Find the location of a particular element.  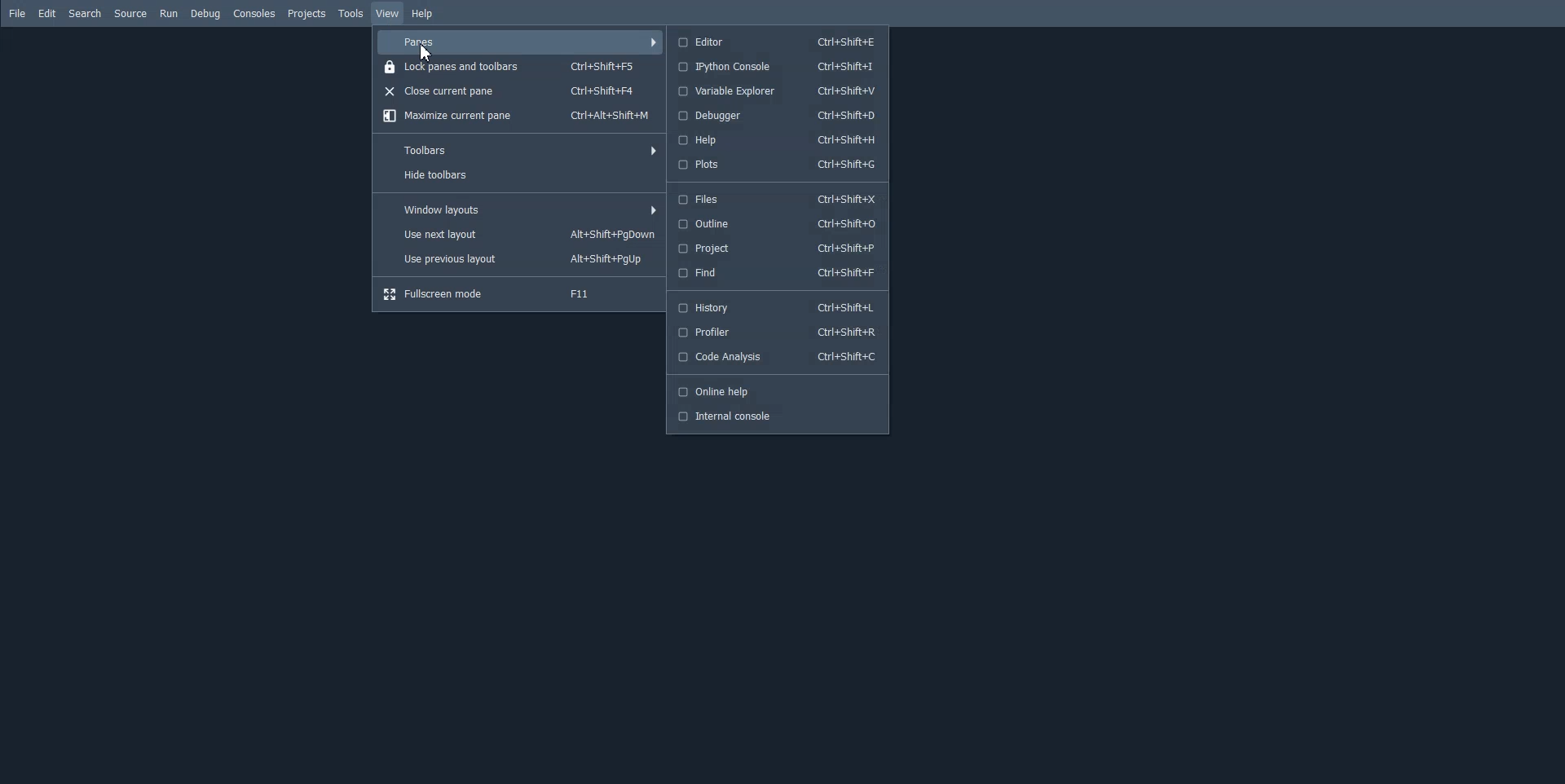

Fullscreen mode  is located at coordinates (520, 293).